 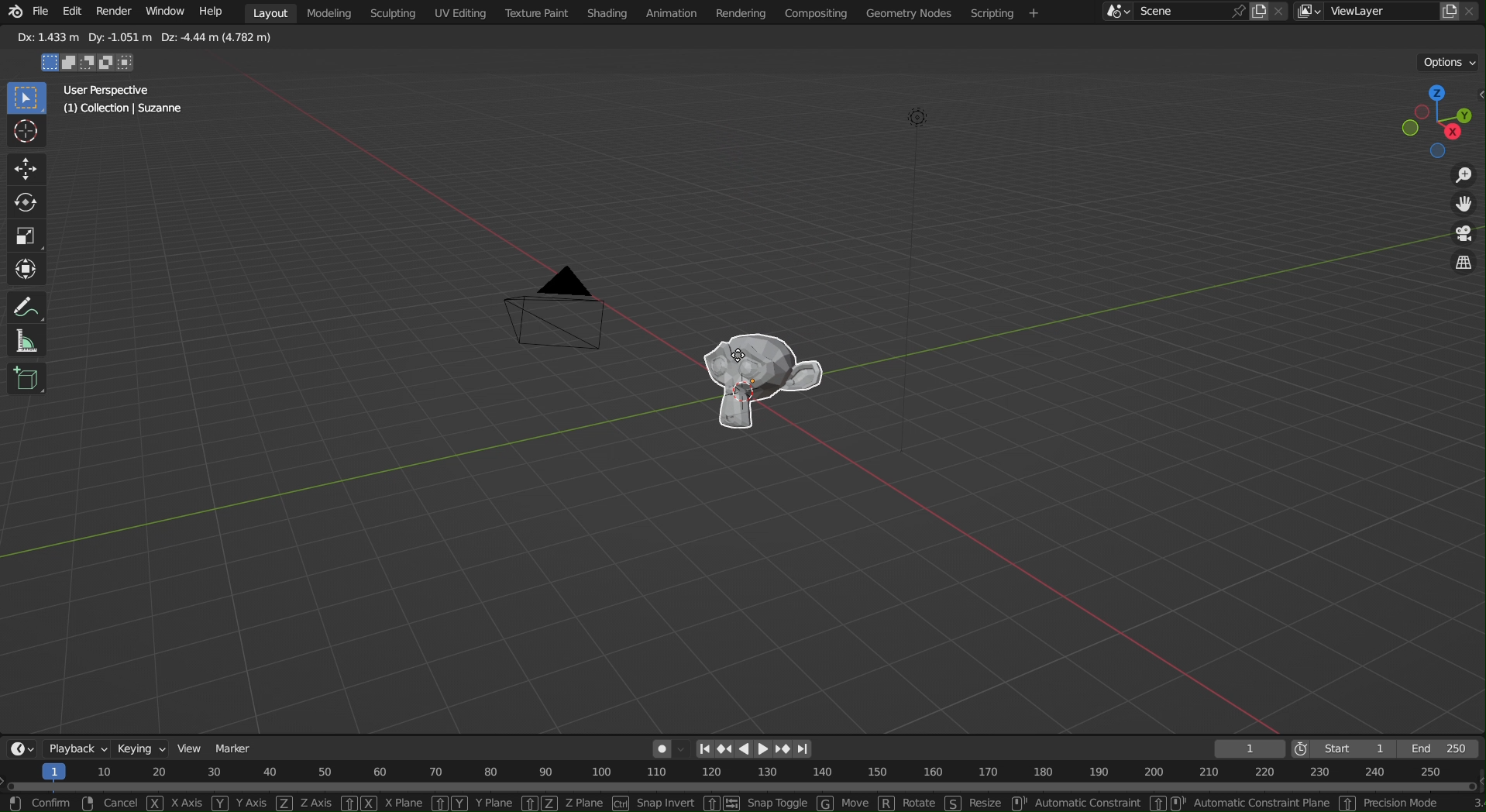 What do you see at coordinates (1357, 748) in the screenshot?
I see `Start 1` at bounding box center [1357, 748].